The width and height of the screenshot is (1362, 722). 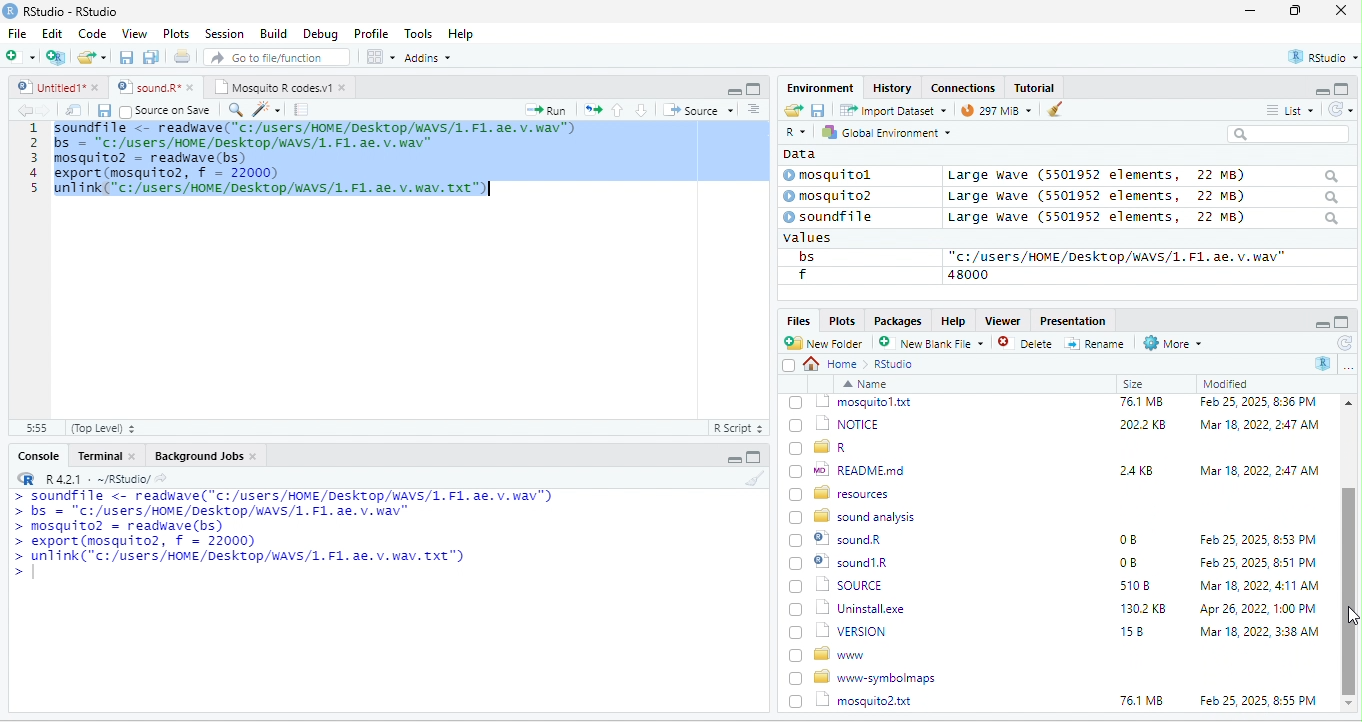 What do you see at coordinates (739, 428) in the screenshot?
I see `R Script 5` at bounding box center [739, 428].